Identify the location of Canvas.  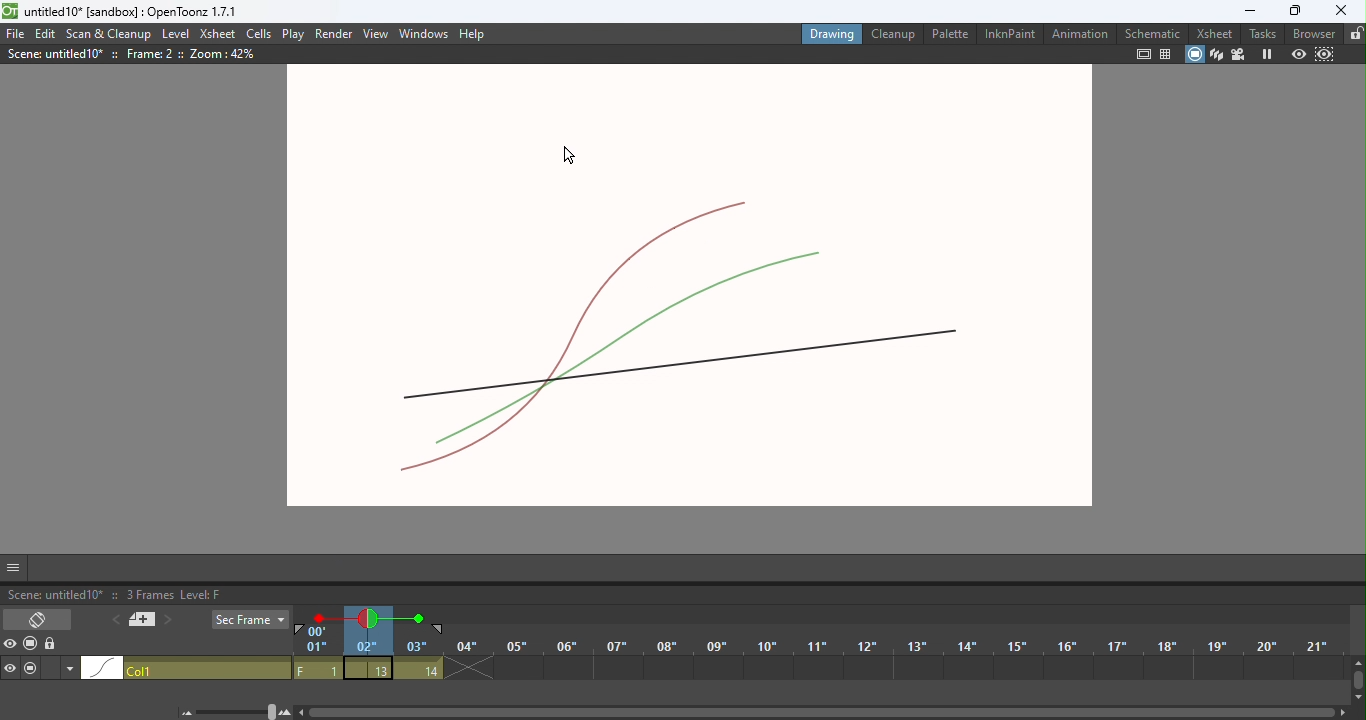
(688, 297).